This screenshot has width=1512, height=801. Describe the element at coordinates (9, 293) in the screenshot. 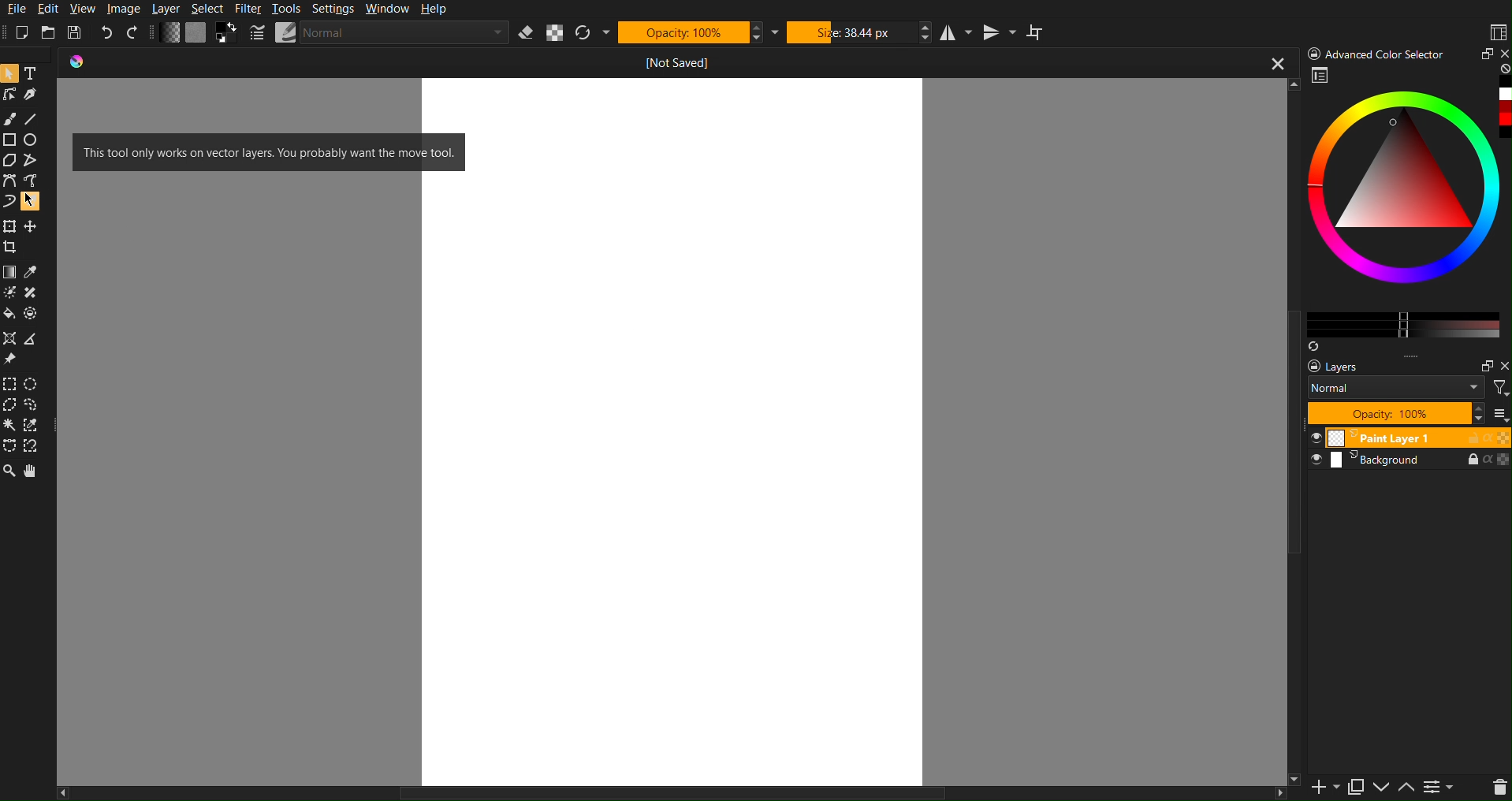

I see `Colorise Mask` at that location.